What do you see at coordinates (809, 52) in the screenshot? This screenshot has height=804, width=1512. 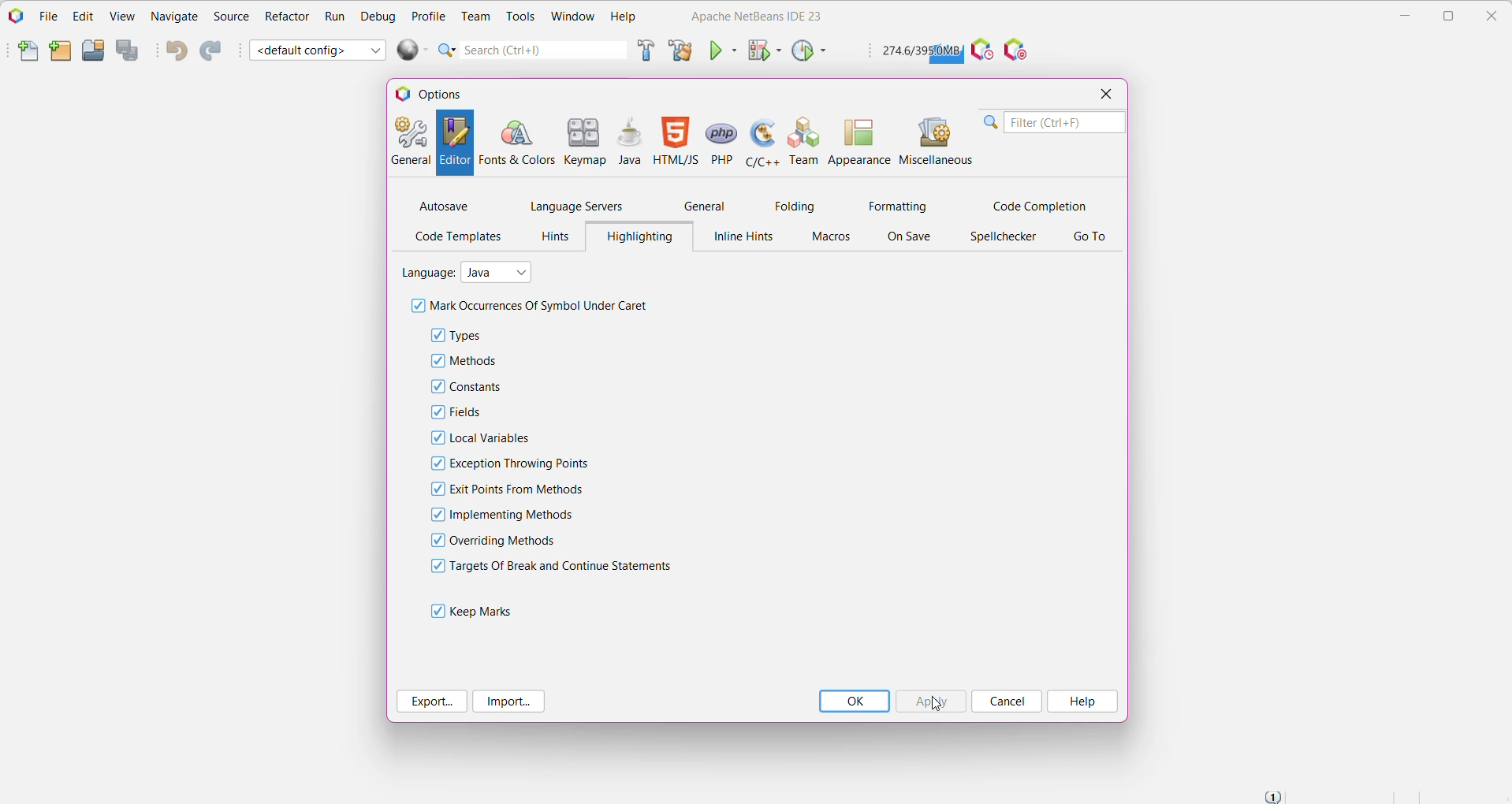 I see `Profile Project` at bounding box center [809, 52].